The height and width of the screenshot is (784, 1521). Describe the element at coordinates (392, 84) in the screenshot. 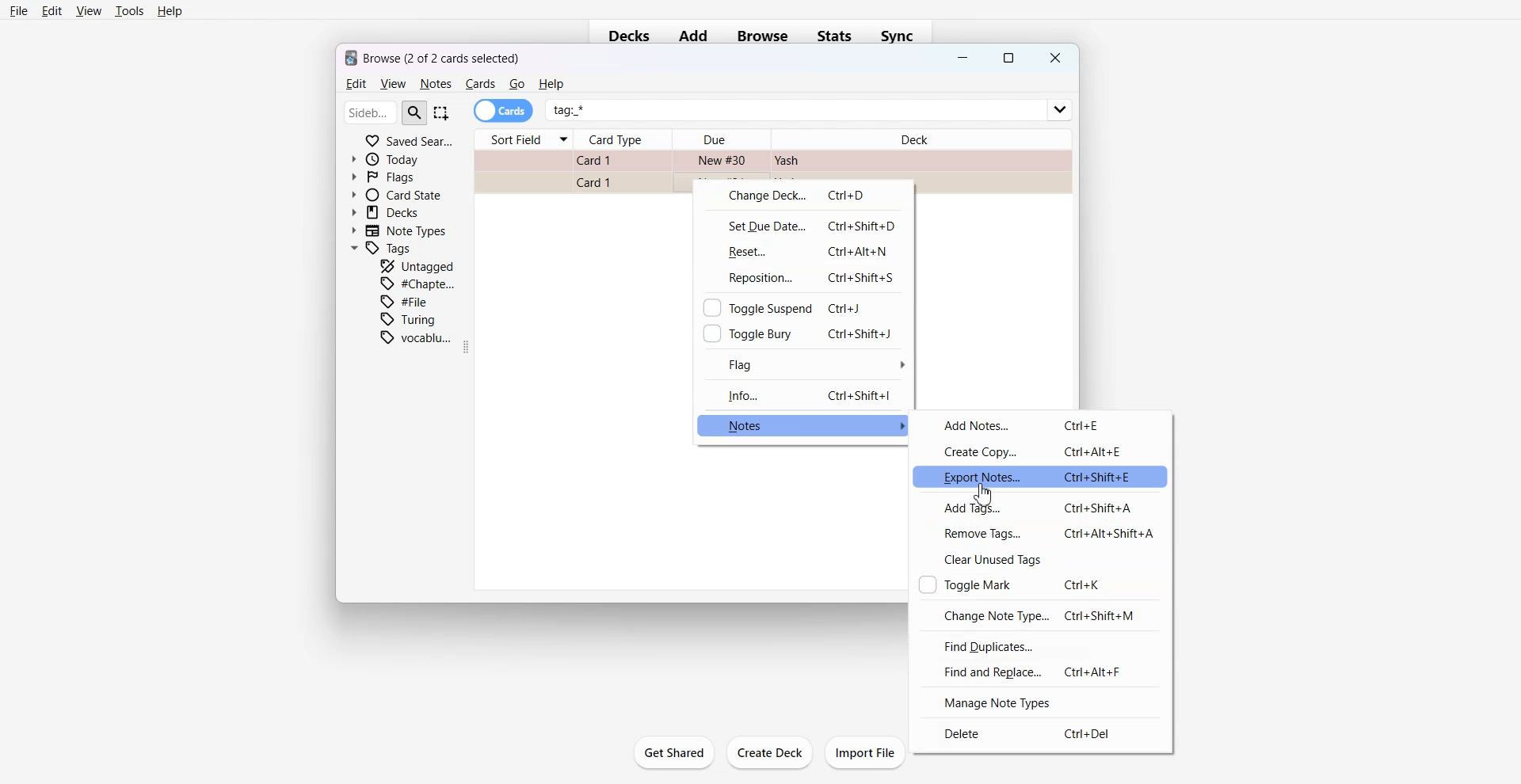

I see `View` at that location.